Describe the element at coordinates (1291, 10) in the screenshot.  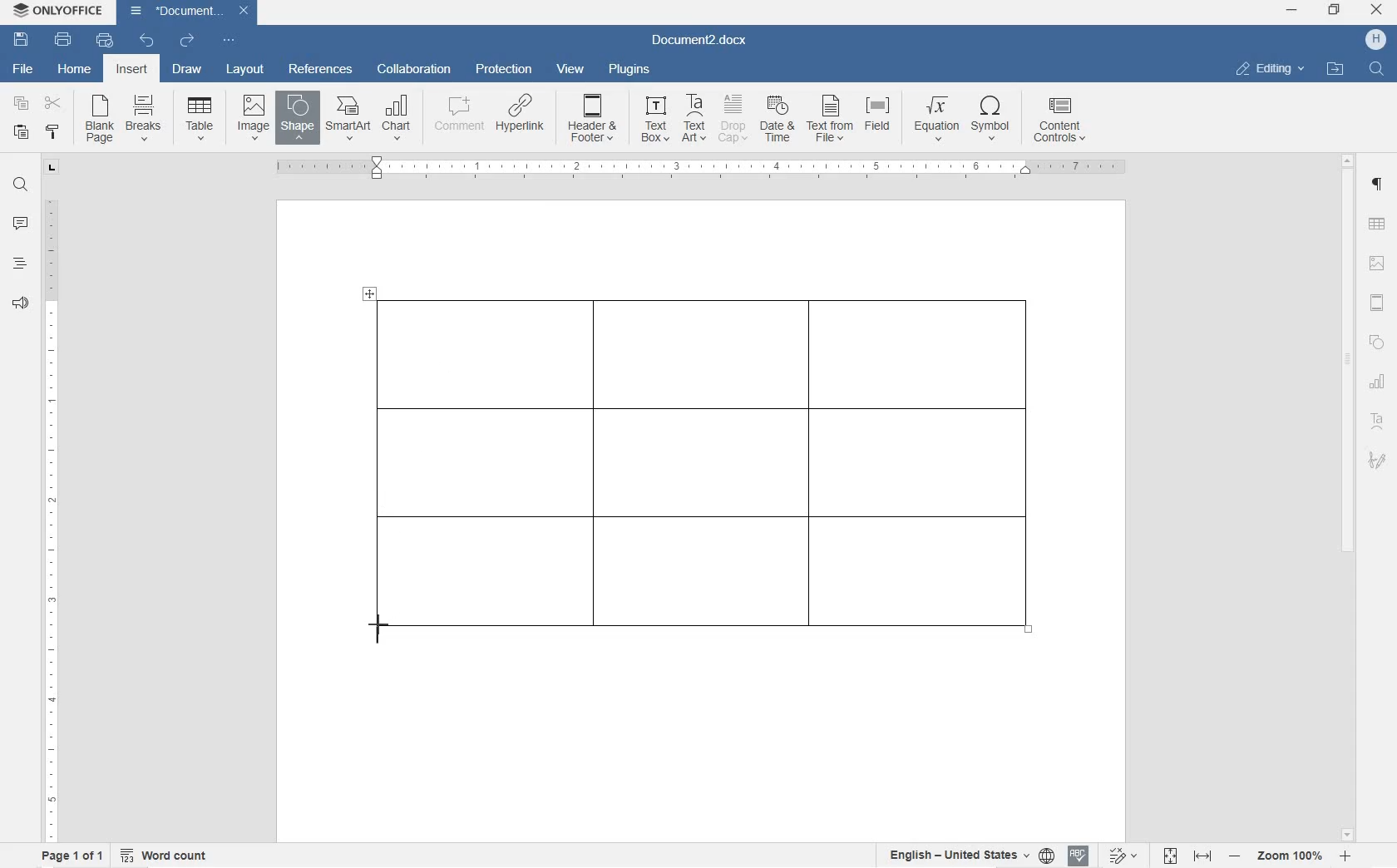
I see `minimize` at that location.